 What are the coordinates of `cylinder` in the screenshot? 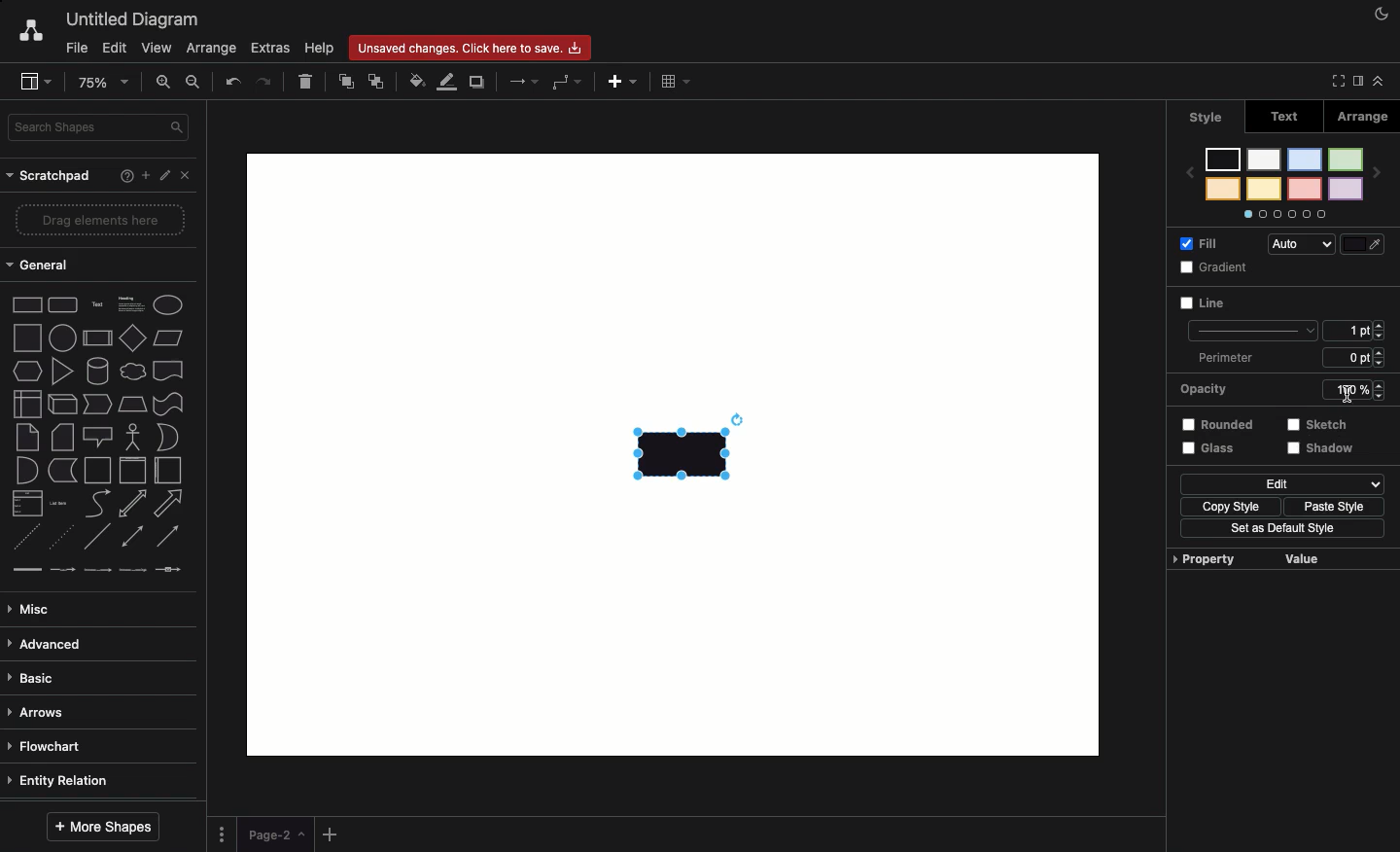 It's located at (95, 372).